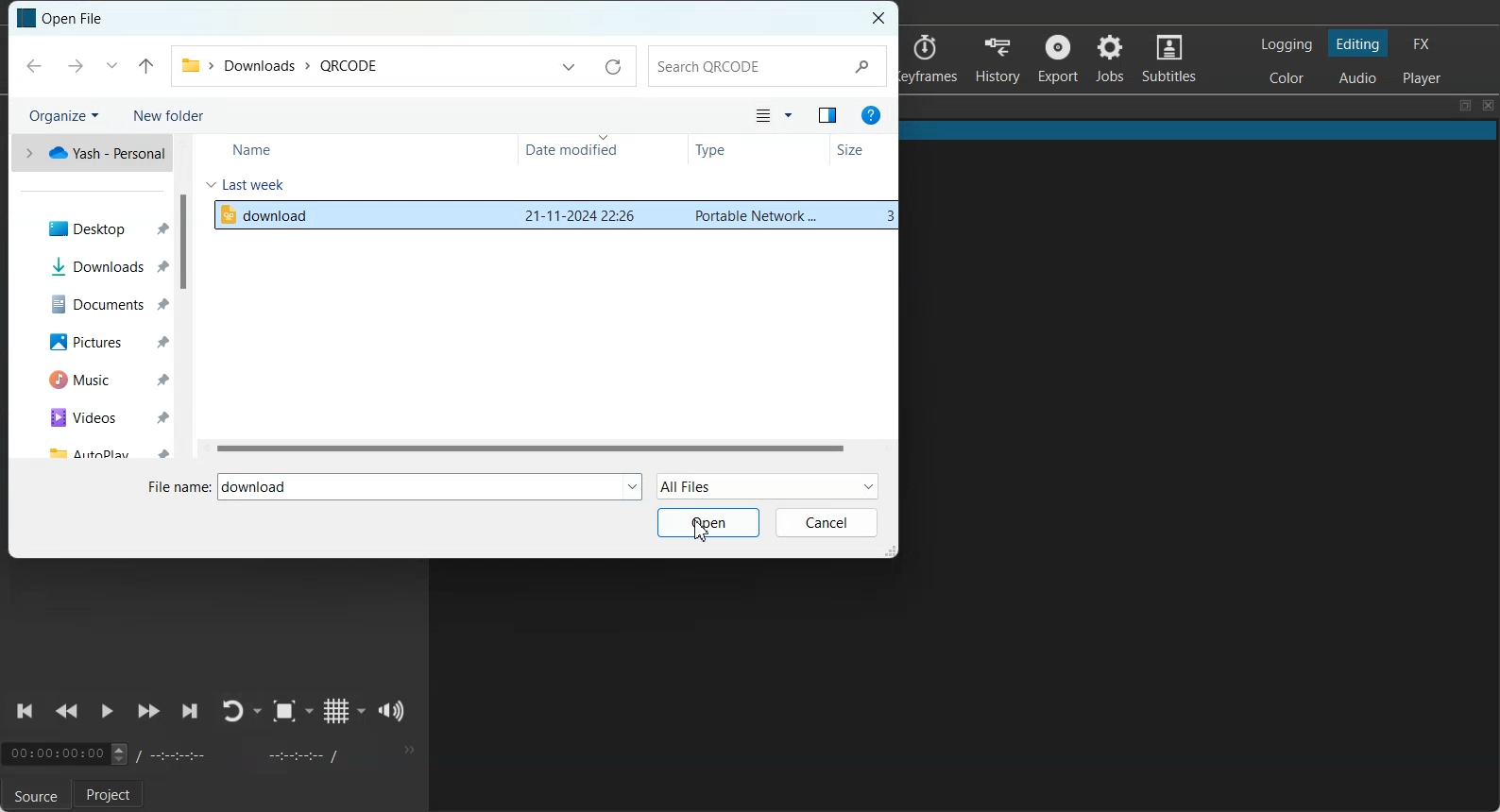 The image size is (1500, 812). I want to click on Videos, so click(100, 417).